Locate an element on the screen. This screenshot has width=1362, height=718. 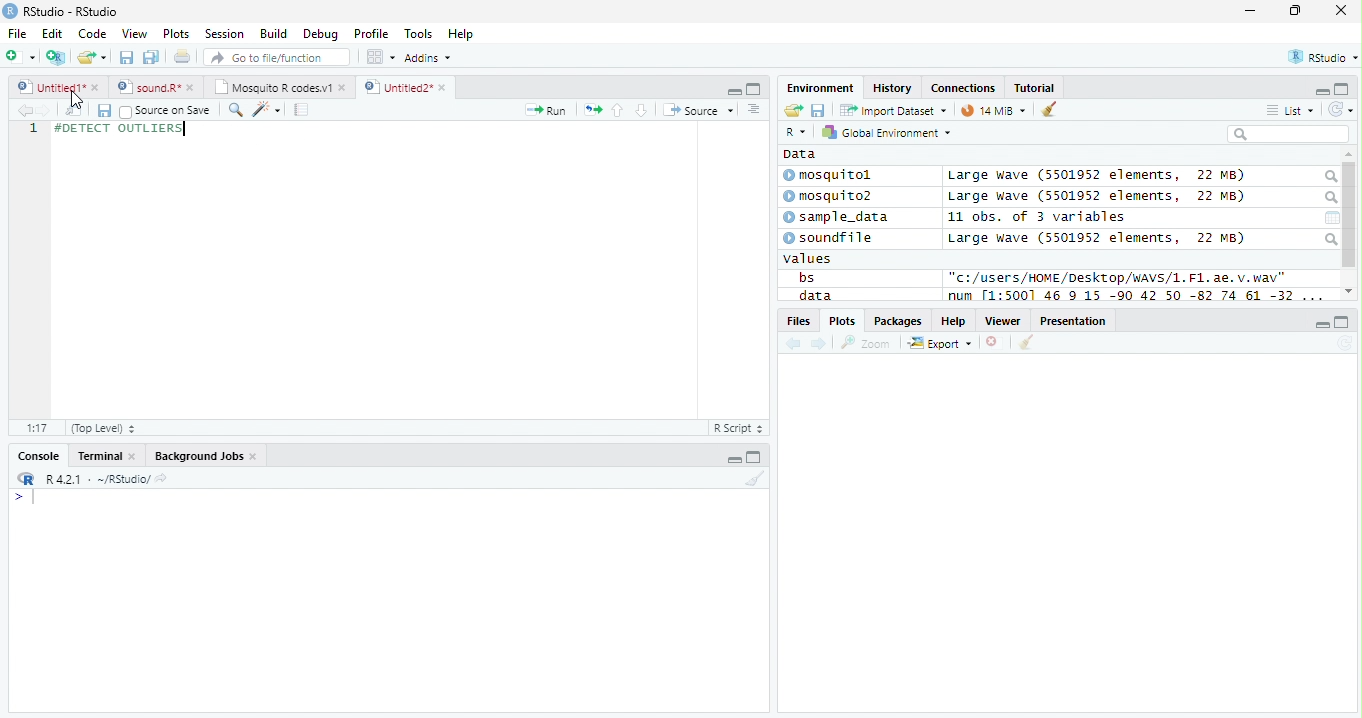
minimize is located at coordinates (1252, 10).